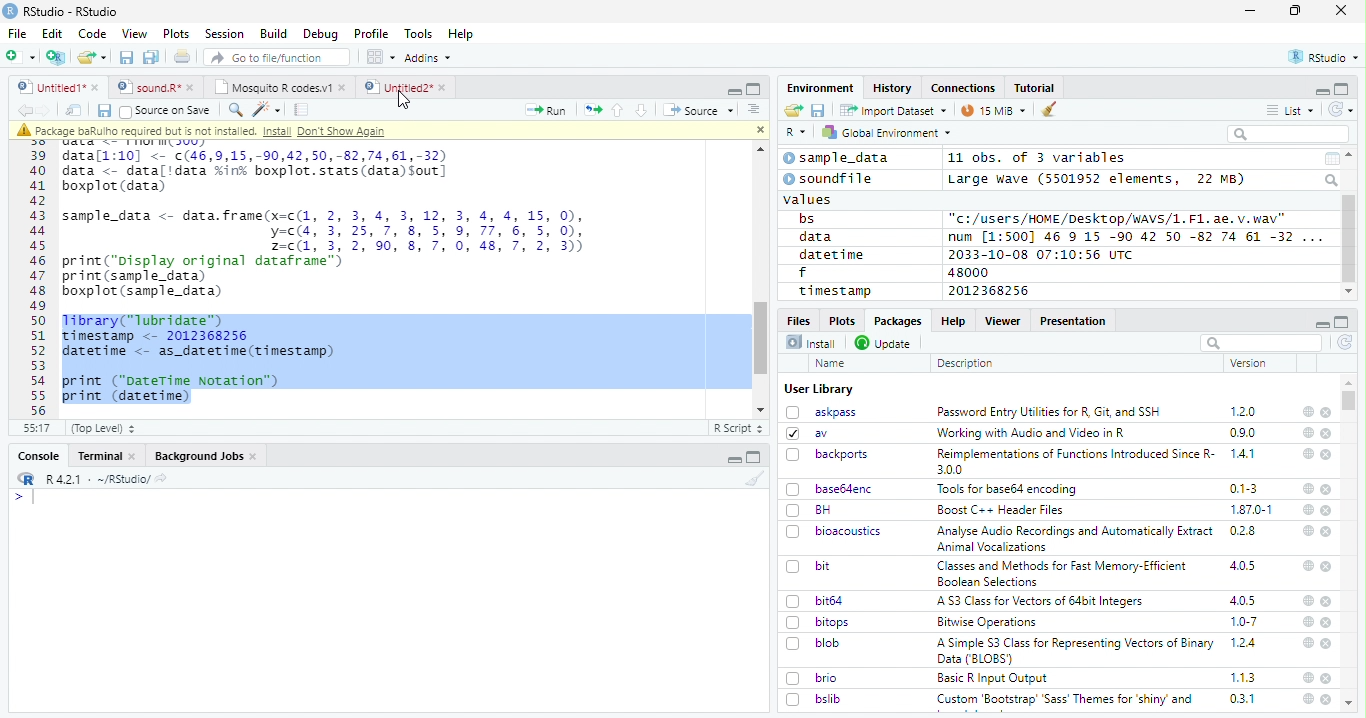  I want to click on typing cursor, so click(24, 497).